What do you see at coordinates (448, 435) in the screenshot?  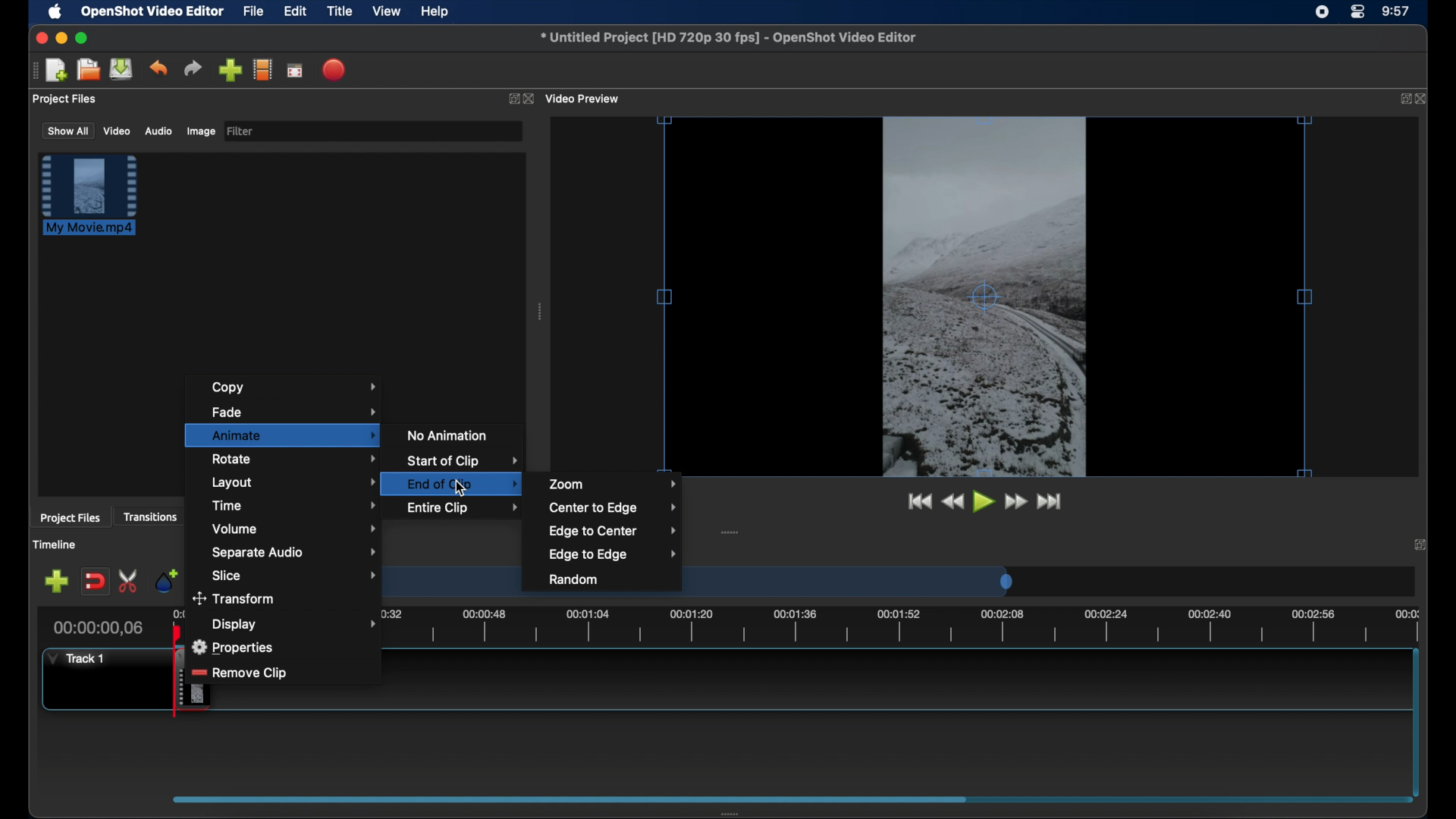 I see `no animation` at bounding box center [448, 435].